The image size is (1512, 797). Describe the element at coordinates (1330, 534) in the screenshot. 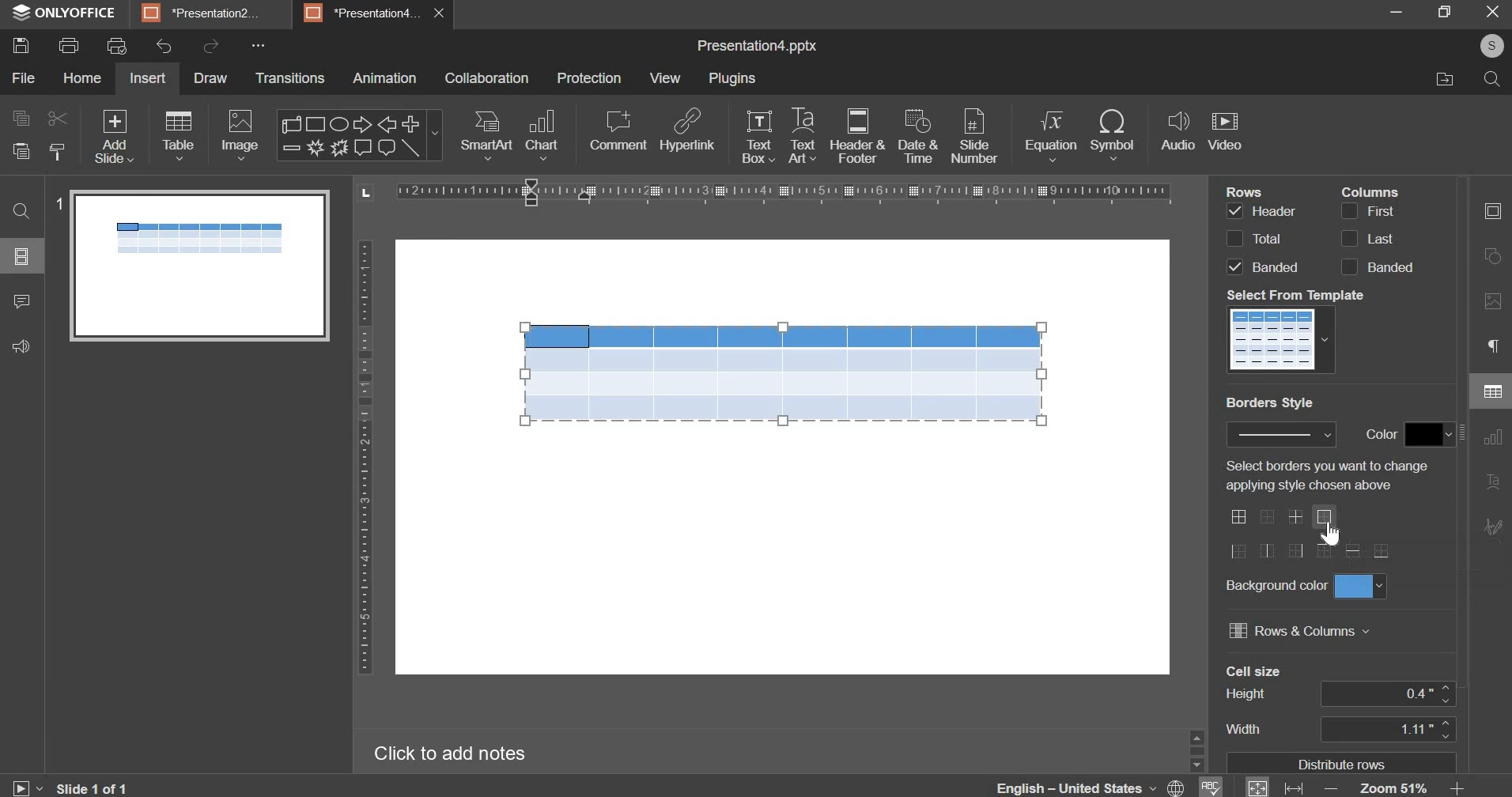

I see `Cursor` at that location.